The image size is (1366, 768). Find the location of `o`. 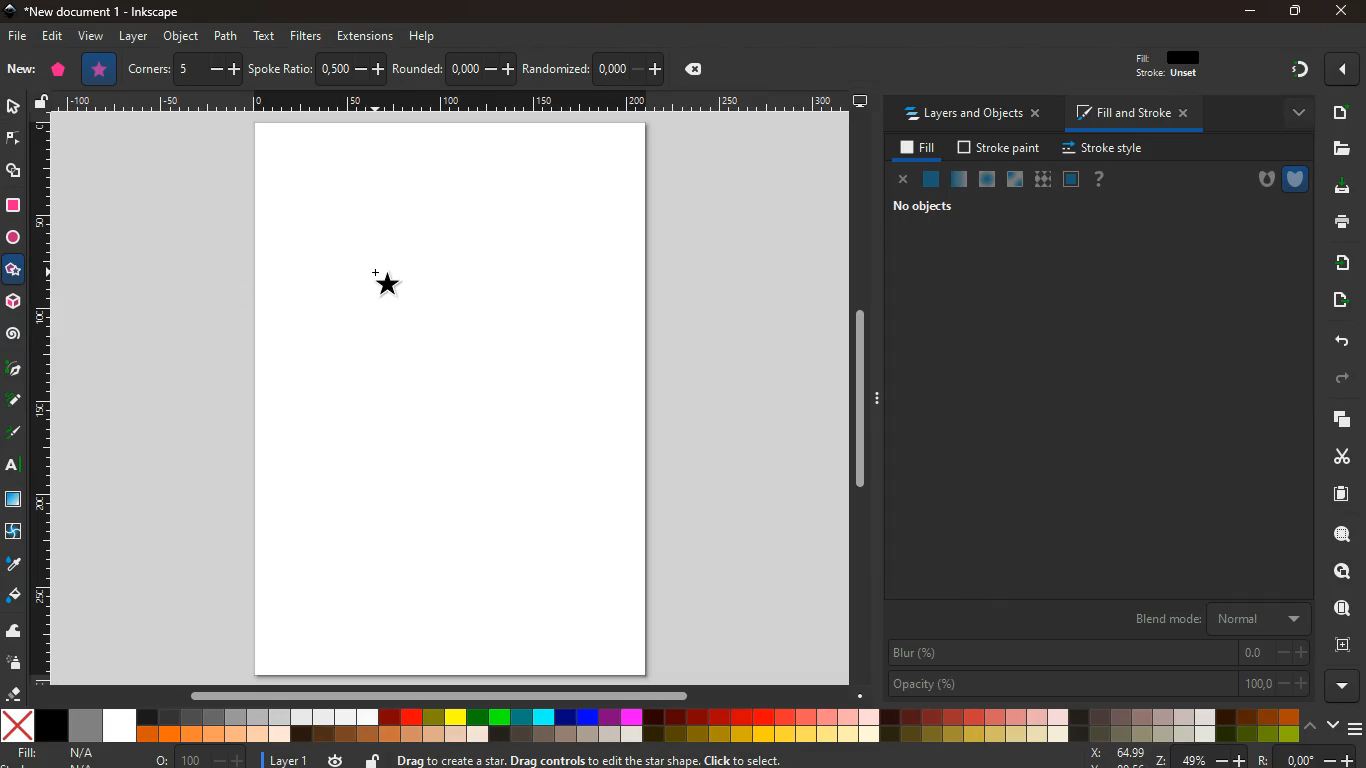

o is located at coordinates (201, 759).